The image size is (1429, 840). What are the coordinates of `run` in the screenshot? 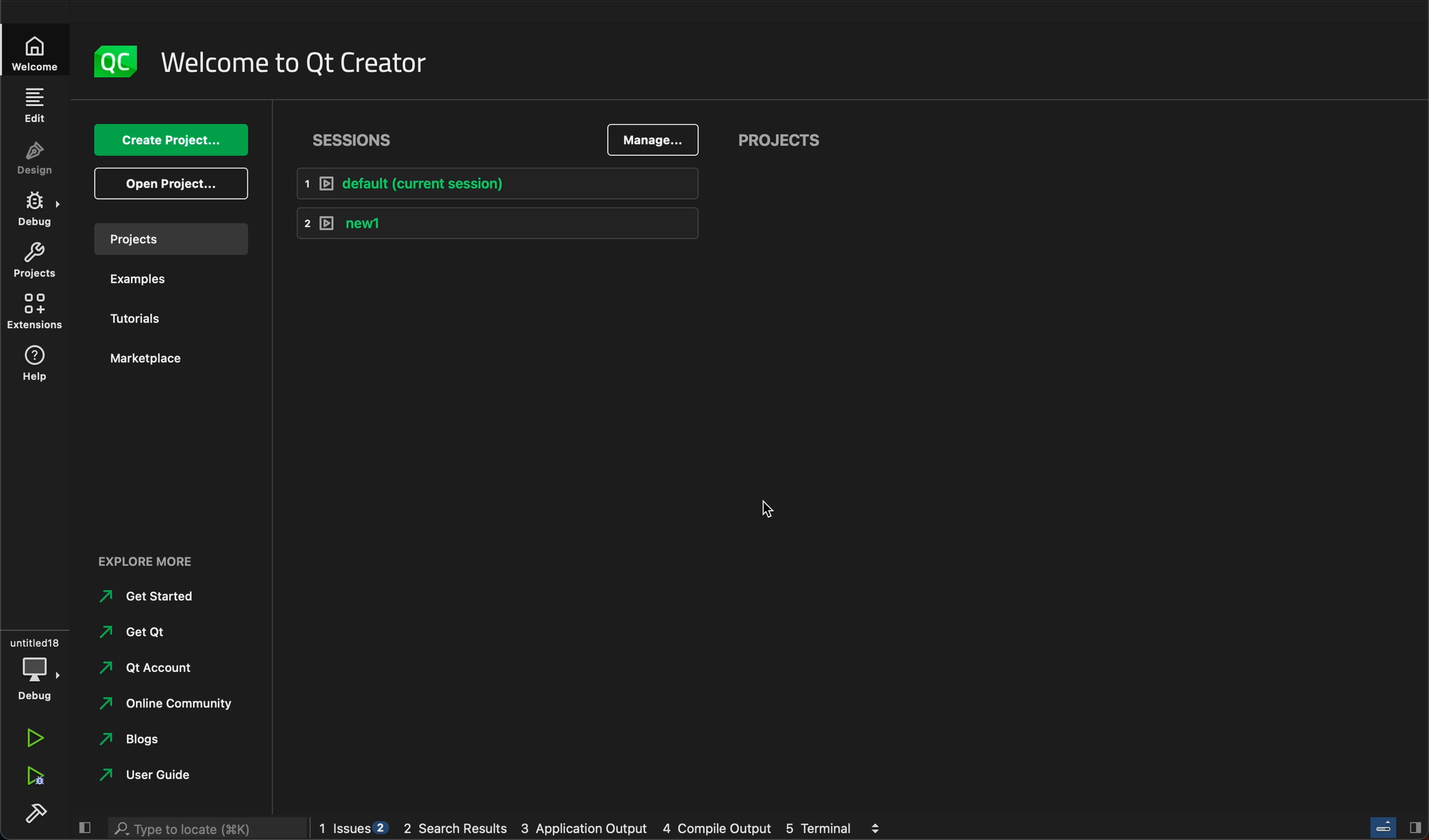 It's located at (32, 740).